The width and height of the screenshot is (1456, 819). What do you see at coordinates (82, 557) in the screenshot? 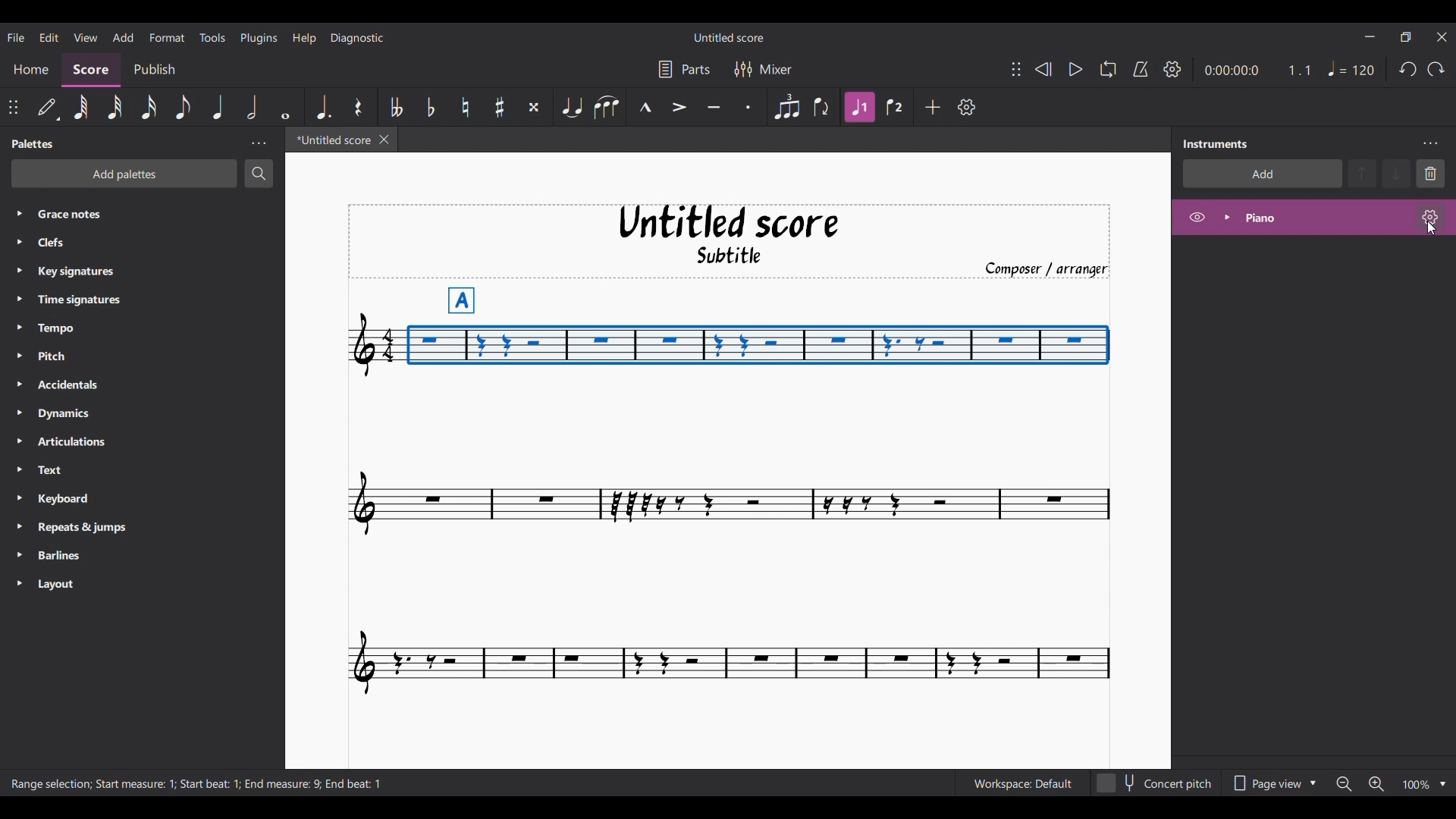
I see `Barlines` at bounding box center [82, 557].